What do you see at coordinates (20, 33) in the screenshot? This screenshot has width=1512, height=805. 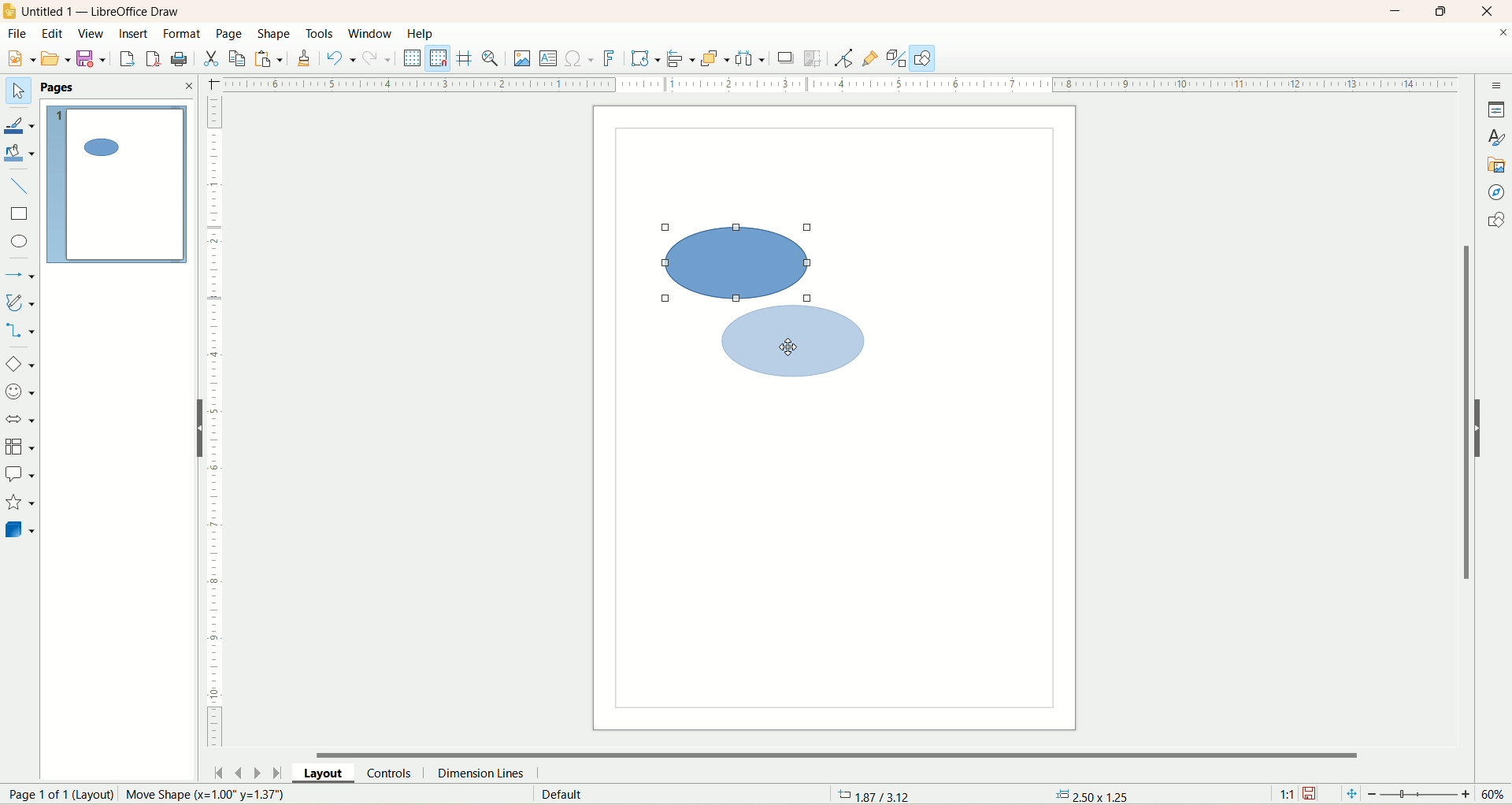 I see `file` at bounding box center [20, 33].